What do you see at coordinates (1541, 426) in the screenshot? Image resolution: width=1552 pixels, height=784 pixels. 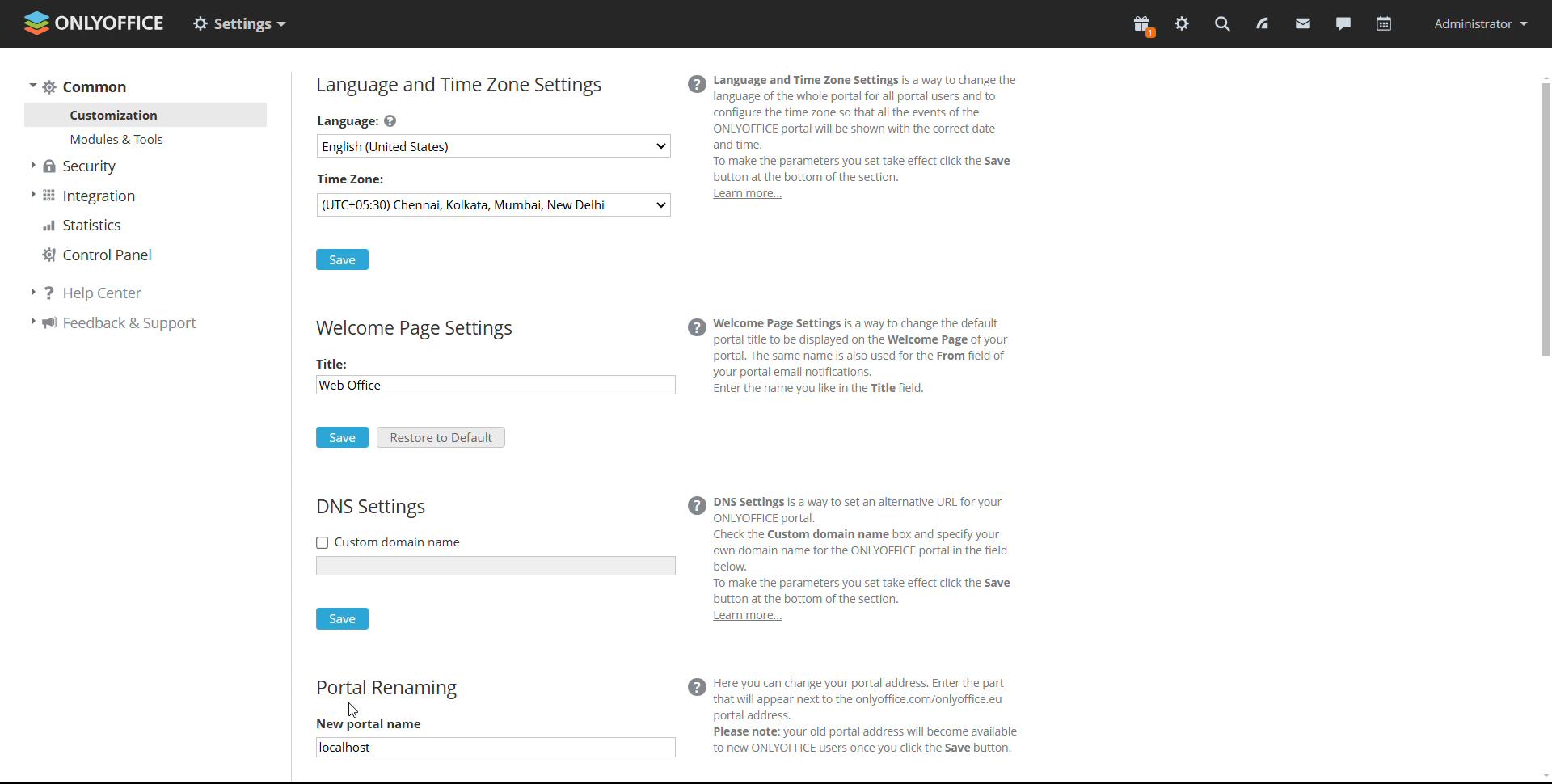 I see `scroll bar` at bounding box center [1541, 426].